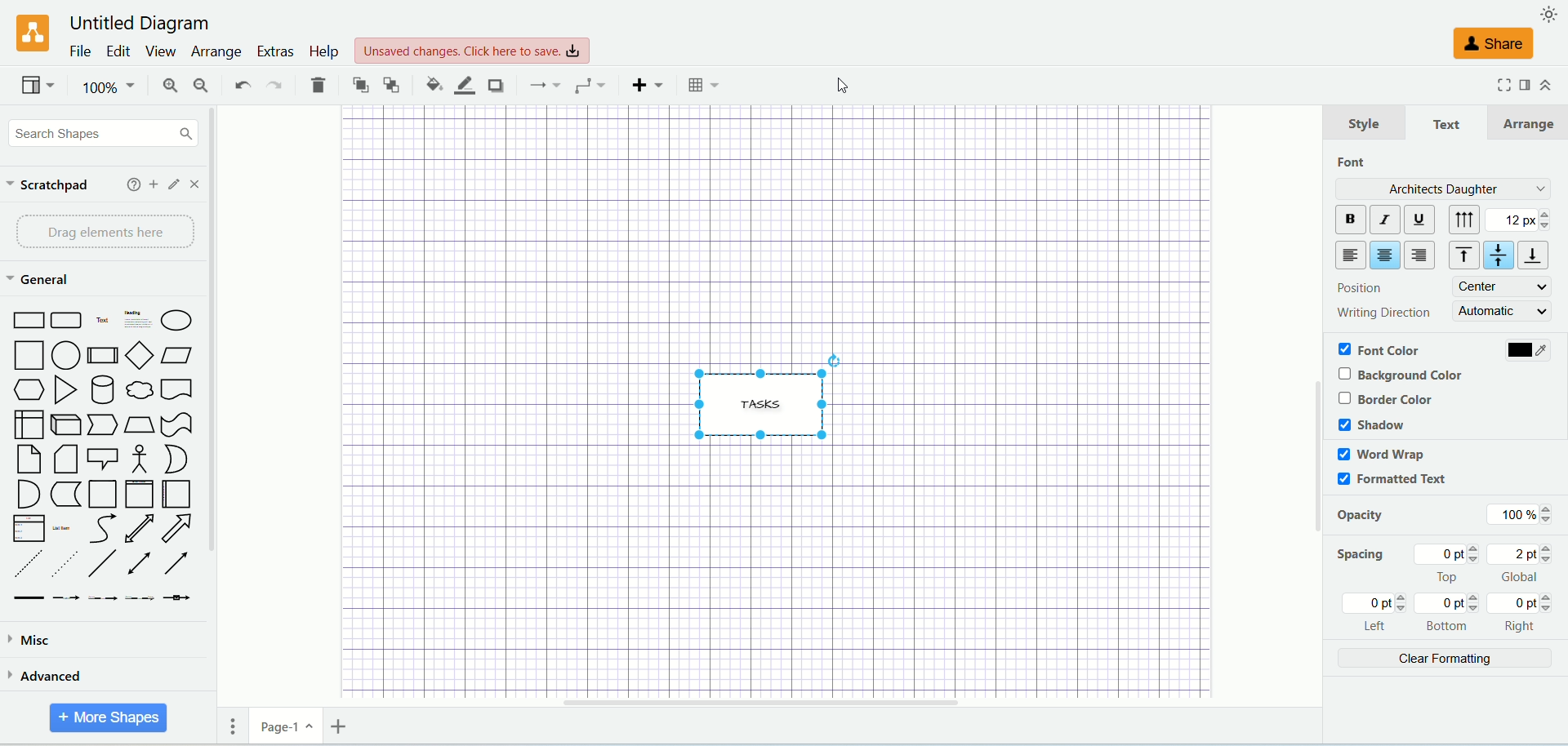 This screenshot has height=746, width=1568. I want to click on List Item, so click(60, 526).